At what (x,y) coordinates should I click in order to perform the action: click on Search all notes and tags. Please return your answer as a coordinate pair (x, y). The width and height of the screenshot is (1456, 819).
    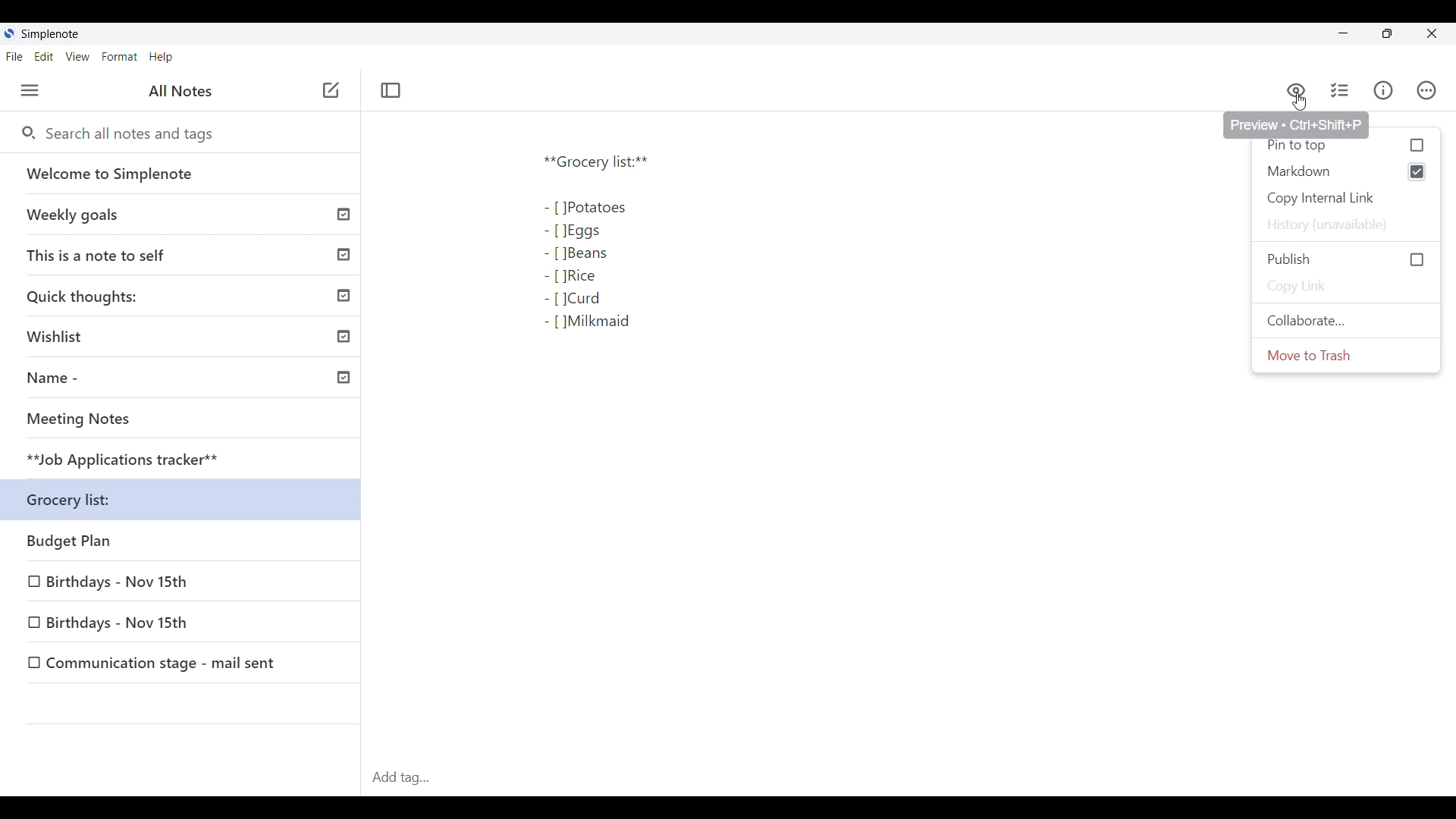
    Looking at the image, I should click on (127, 133).